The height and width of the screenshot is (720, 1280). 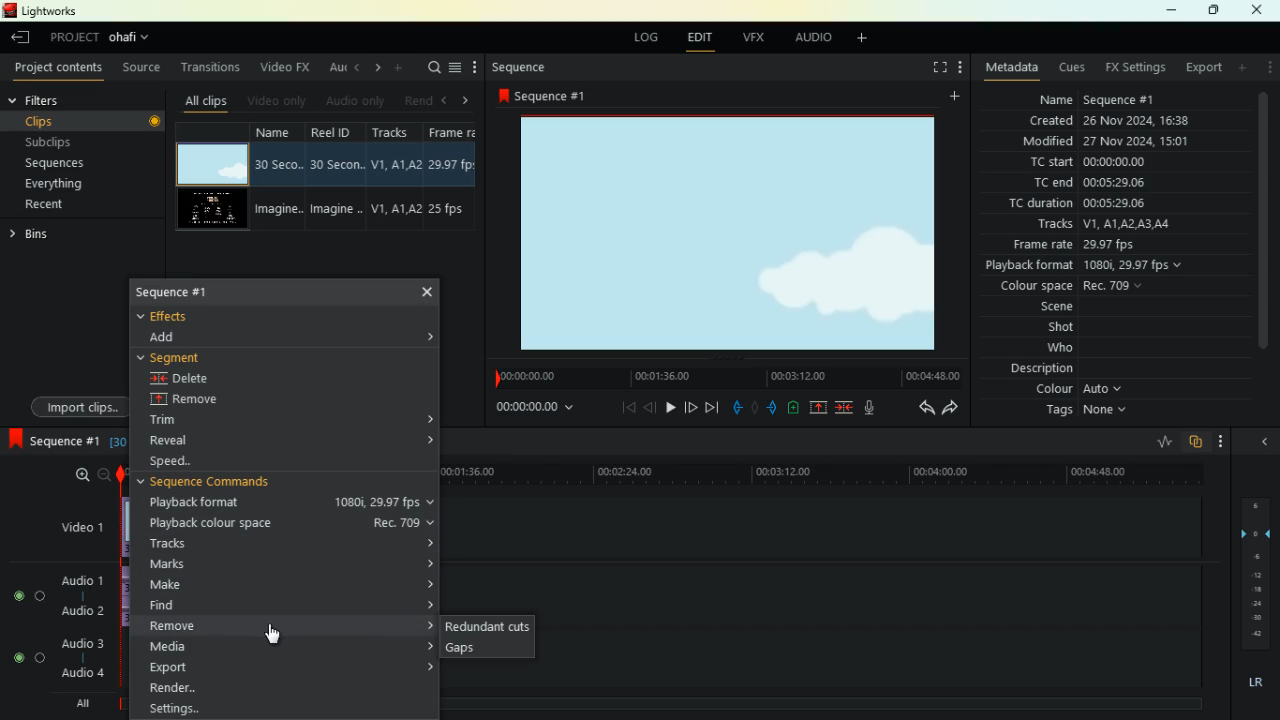 What do you see at coordinates (697, 37) in the screenshot?
I see `edit` at bounding box center [697, 37].